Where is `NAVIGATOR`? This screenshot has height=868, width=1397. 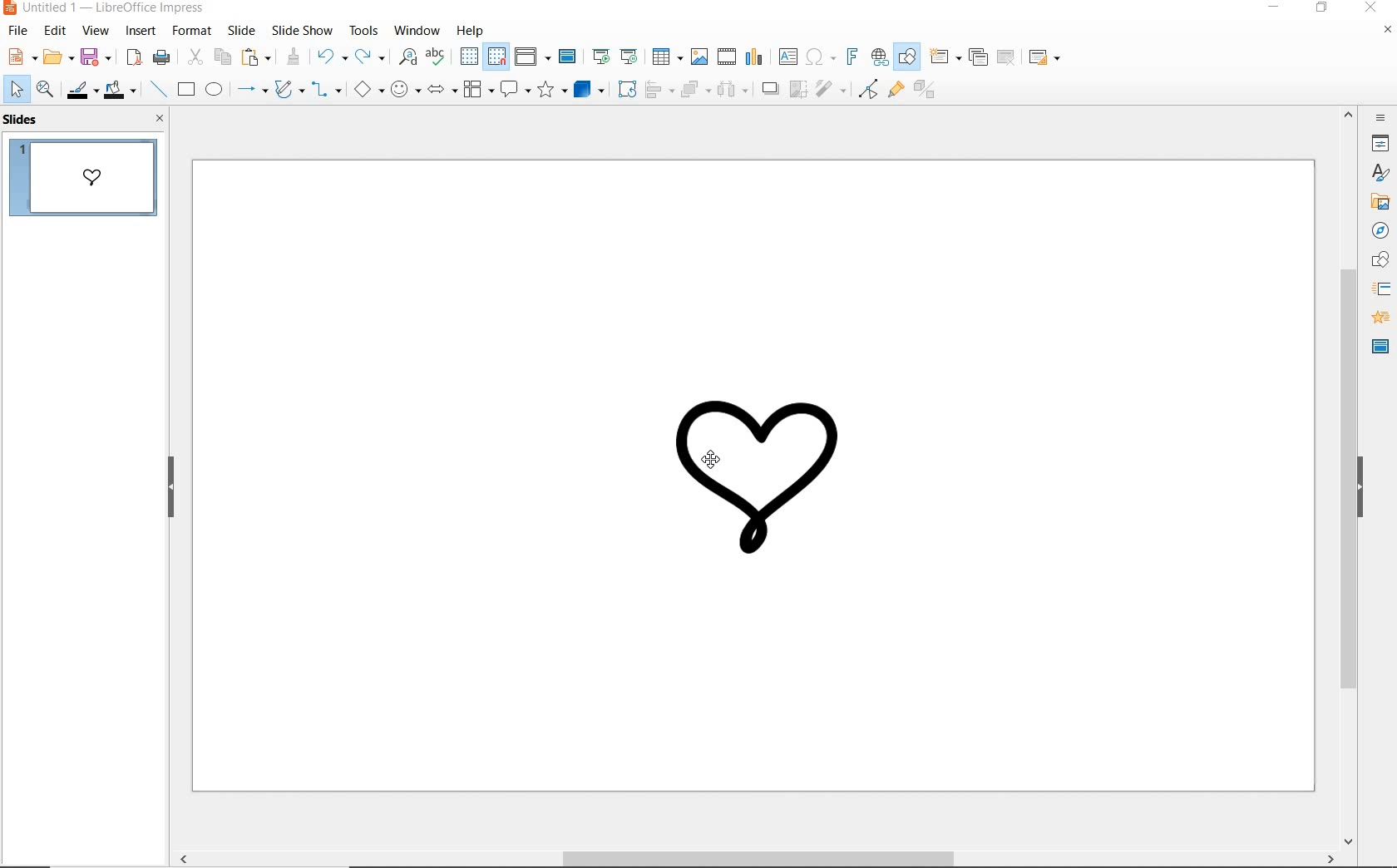 NAVIGATOR is located at coordinates (1381, 232).